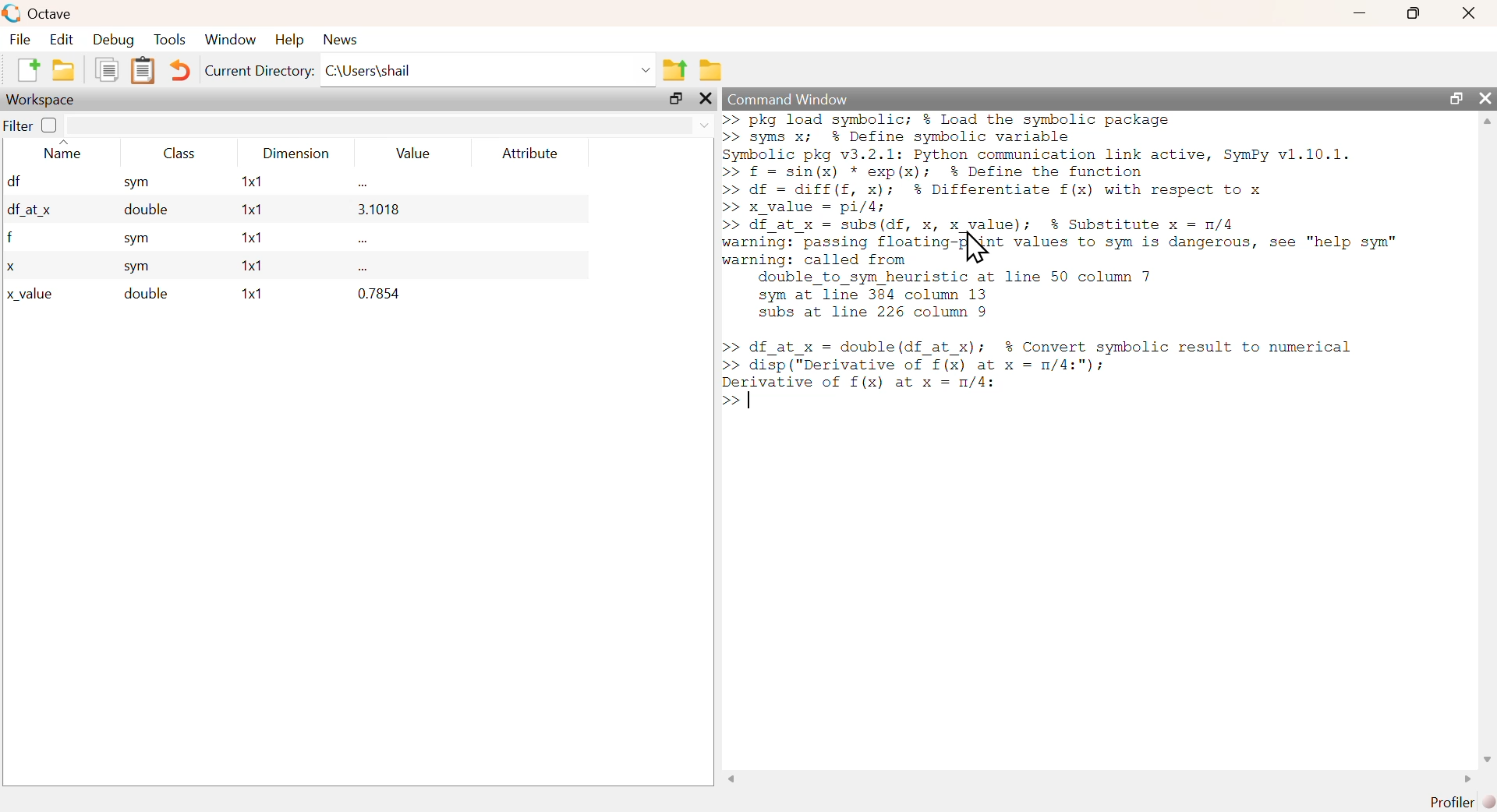 This screenshot has height=812, width=1497. I want to click on Name, so click(62, 150).